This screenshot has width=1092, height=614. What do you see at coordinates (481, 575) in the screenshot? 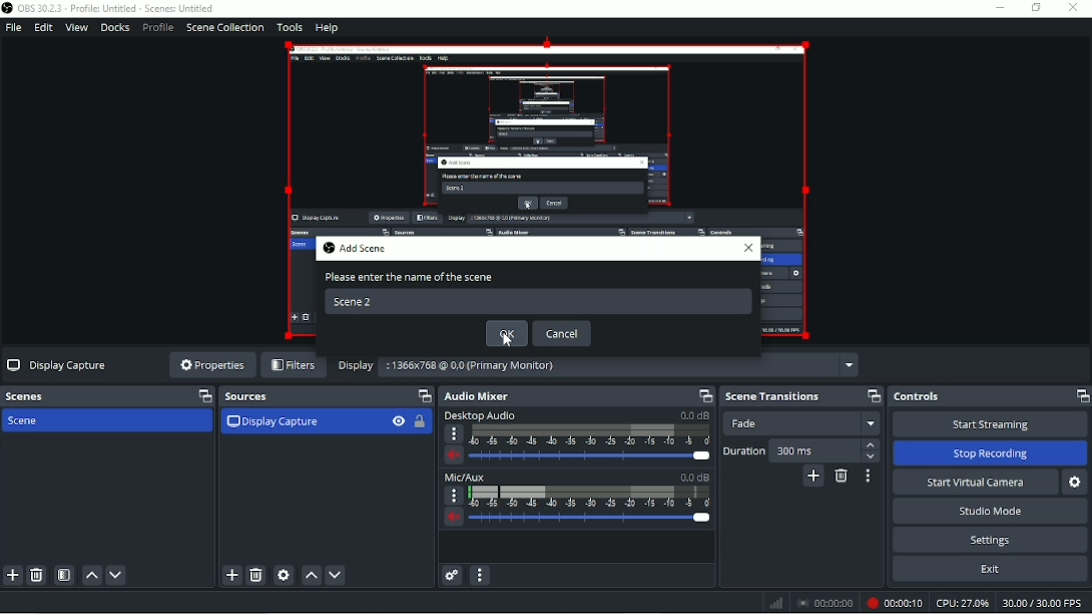
I see `Audio mixer menu` at bounding box center [481, 575].